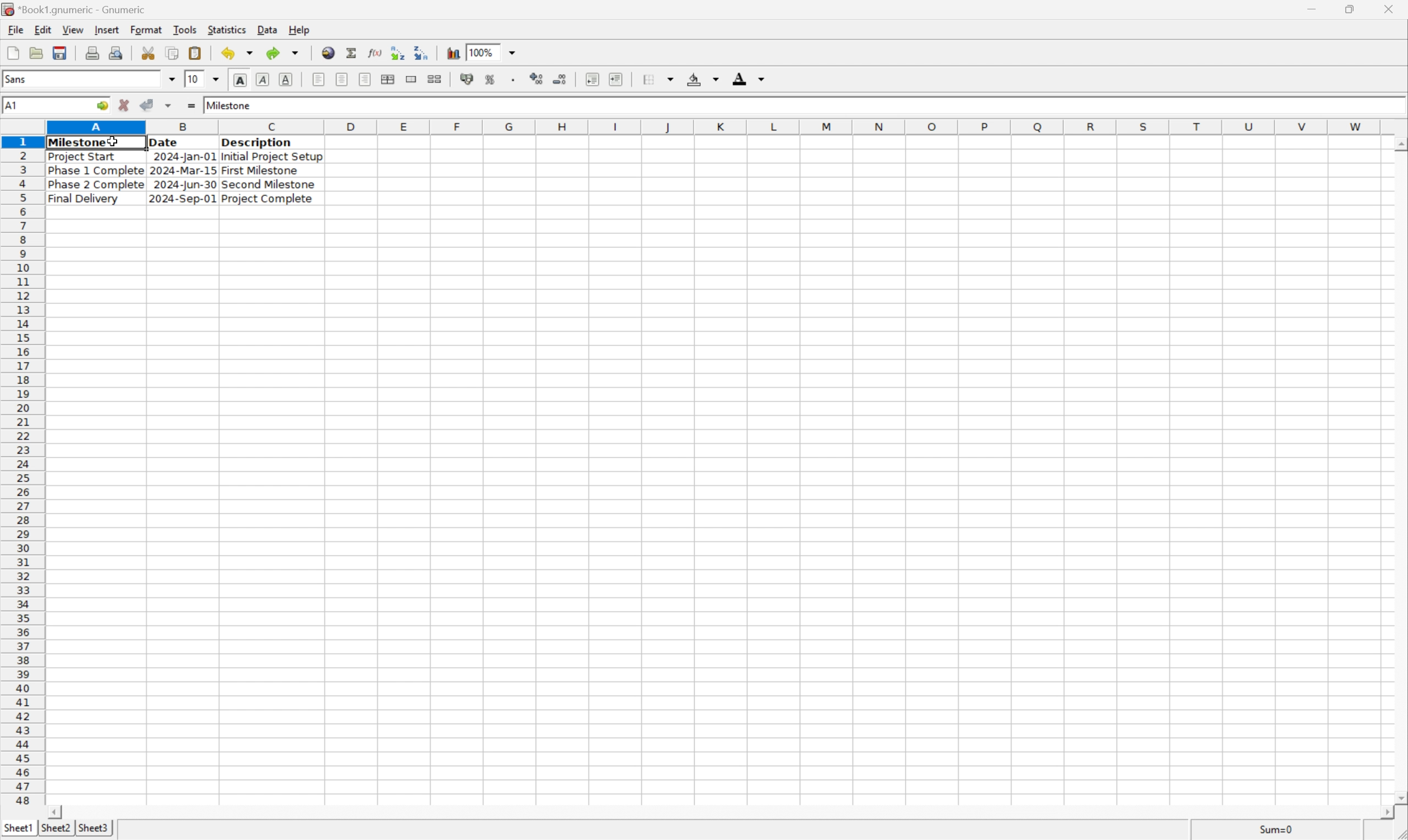  Describe the element at coordinates (1399, 470) in the screenshot. I see `scroll bar` at that location.